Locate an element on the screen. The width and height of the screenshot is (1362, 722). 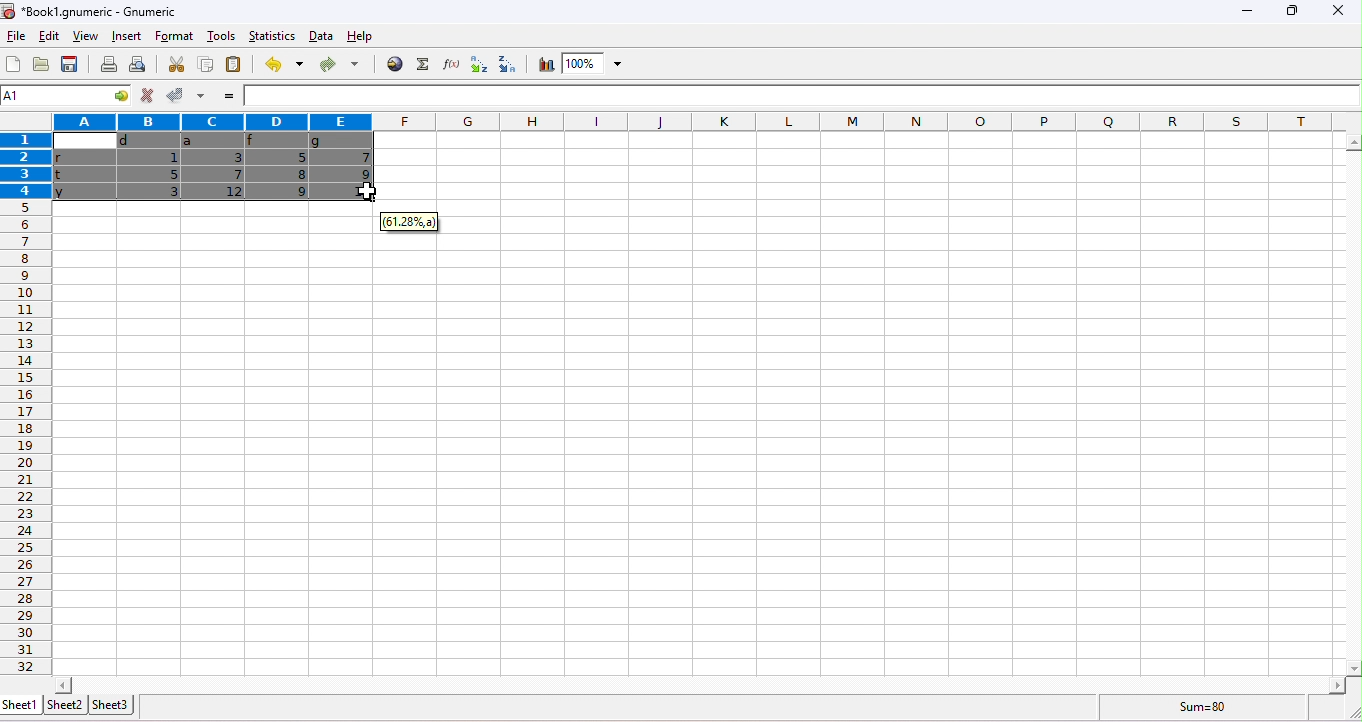
data is located at coordinates (320, 36).